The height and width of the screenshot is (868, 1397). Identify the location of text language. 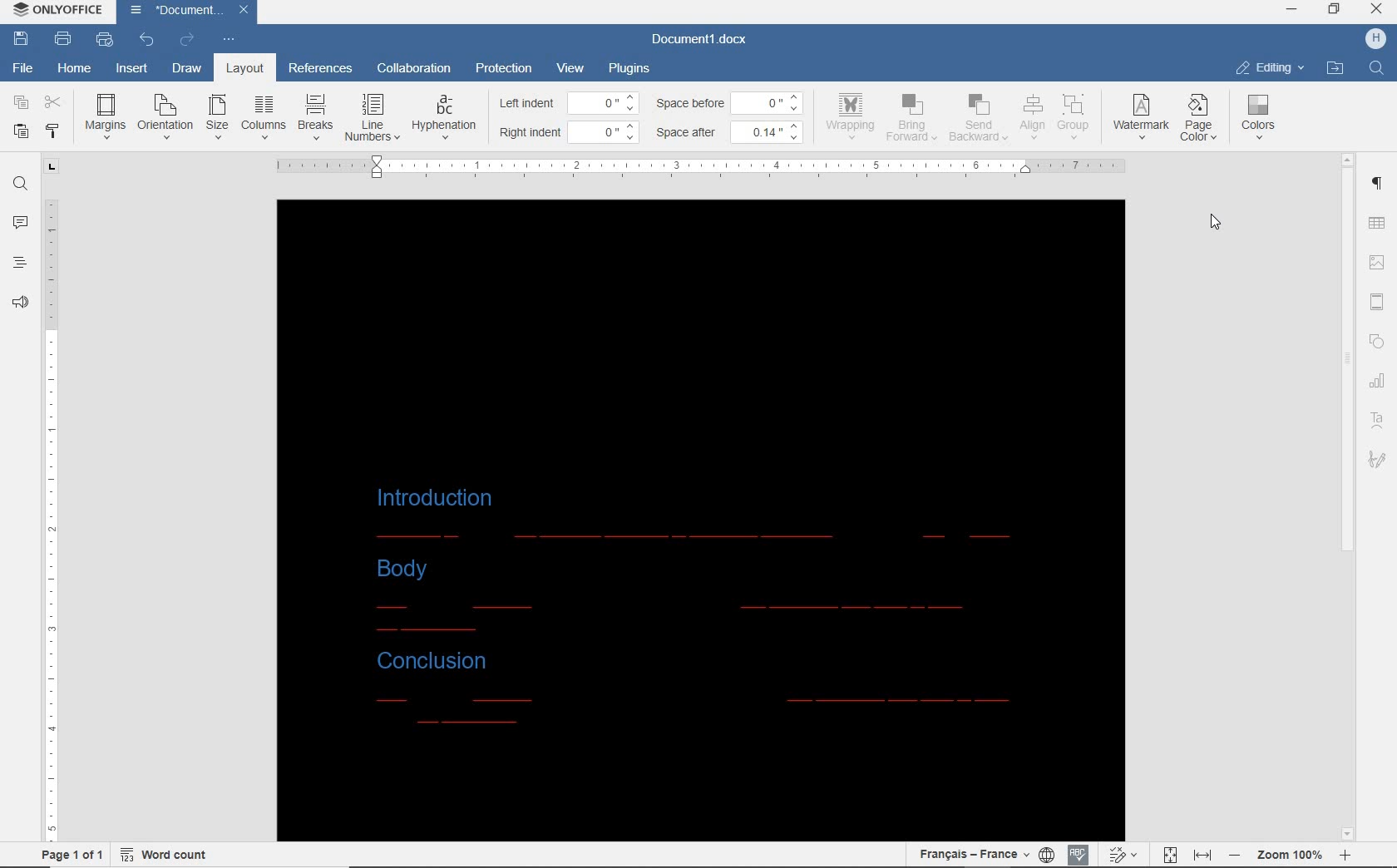
(970, 852).